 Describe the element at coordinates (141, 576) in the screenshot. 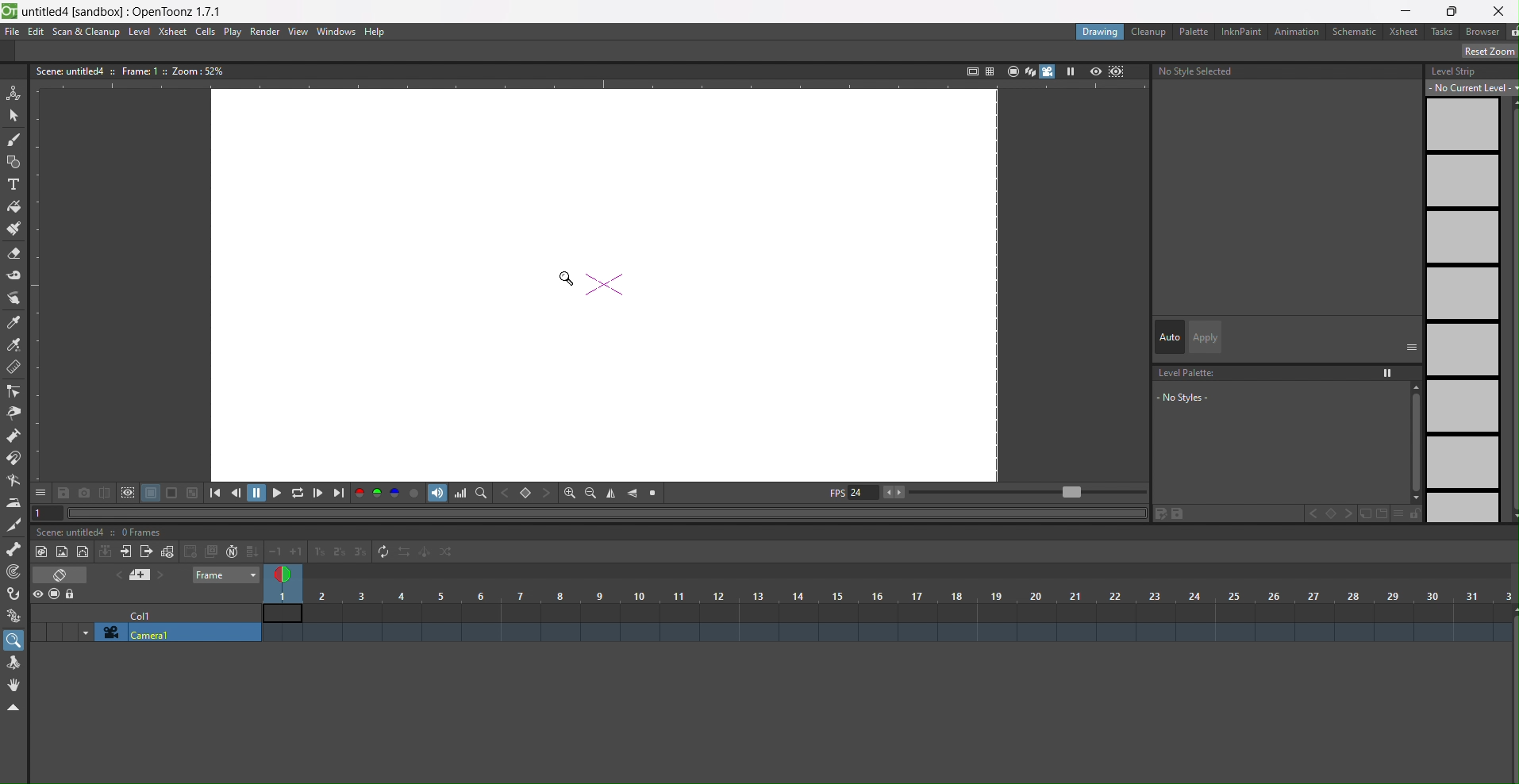

I see `icon` at that location.